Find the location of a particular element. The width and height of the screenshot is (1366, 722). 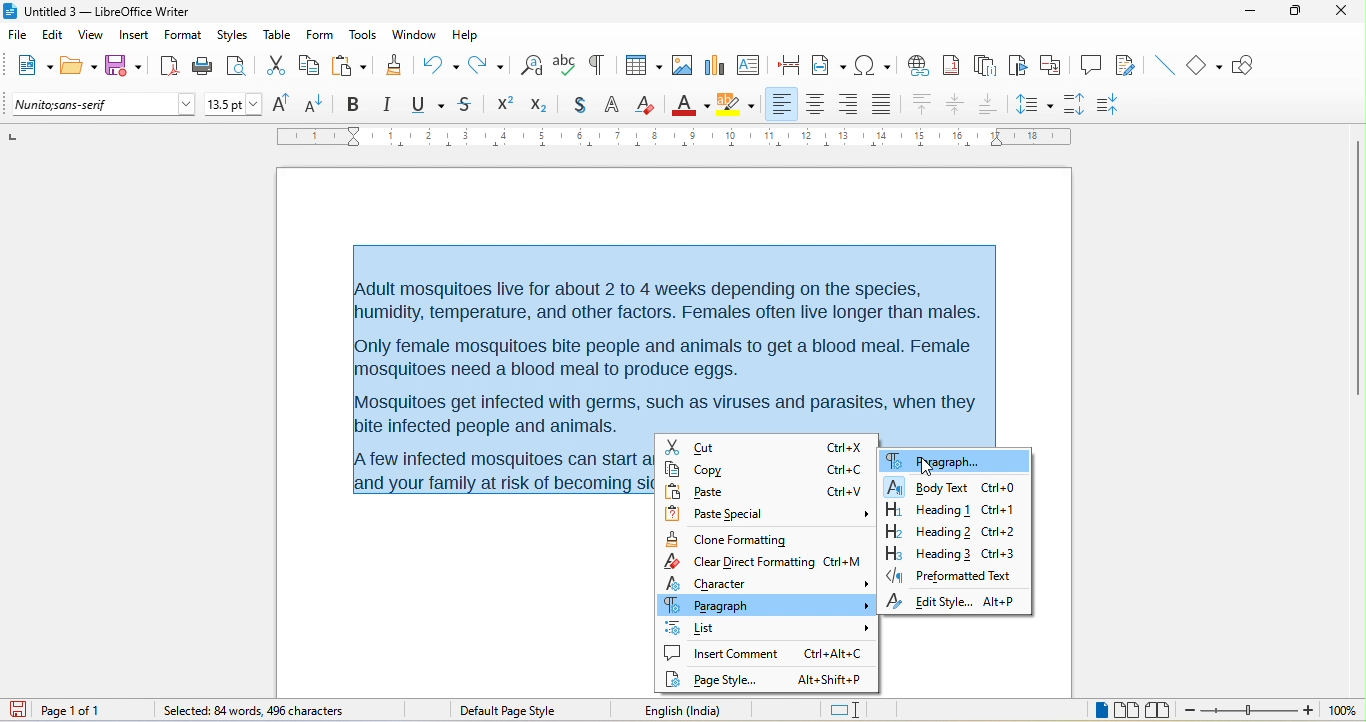

shortcut key is located at coordinates (843, 448).